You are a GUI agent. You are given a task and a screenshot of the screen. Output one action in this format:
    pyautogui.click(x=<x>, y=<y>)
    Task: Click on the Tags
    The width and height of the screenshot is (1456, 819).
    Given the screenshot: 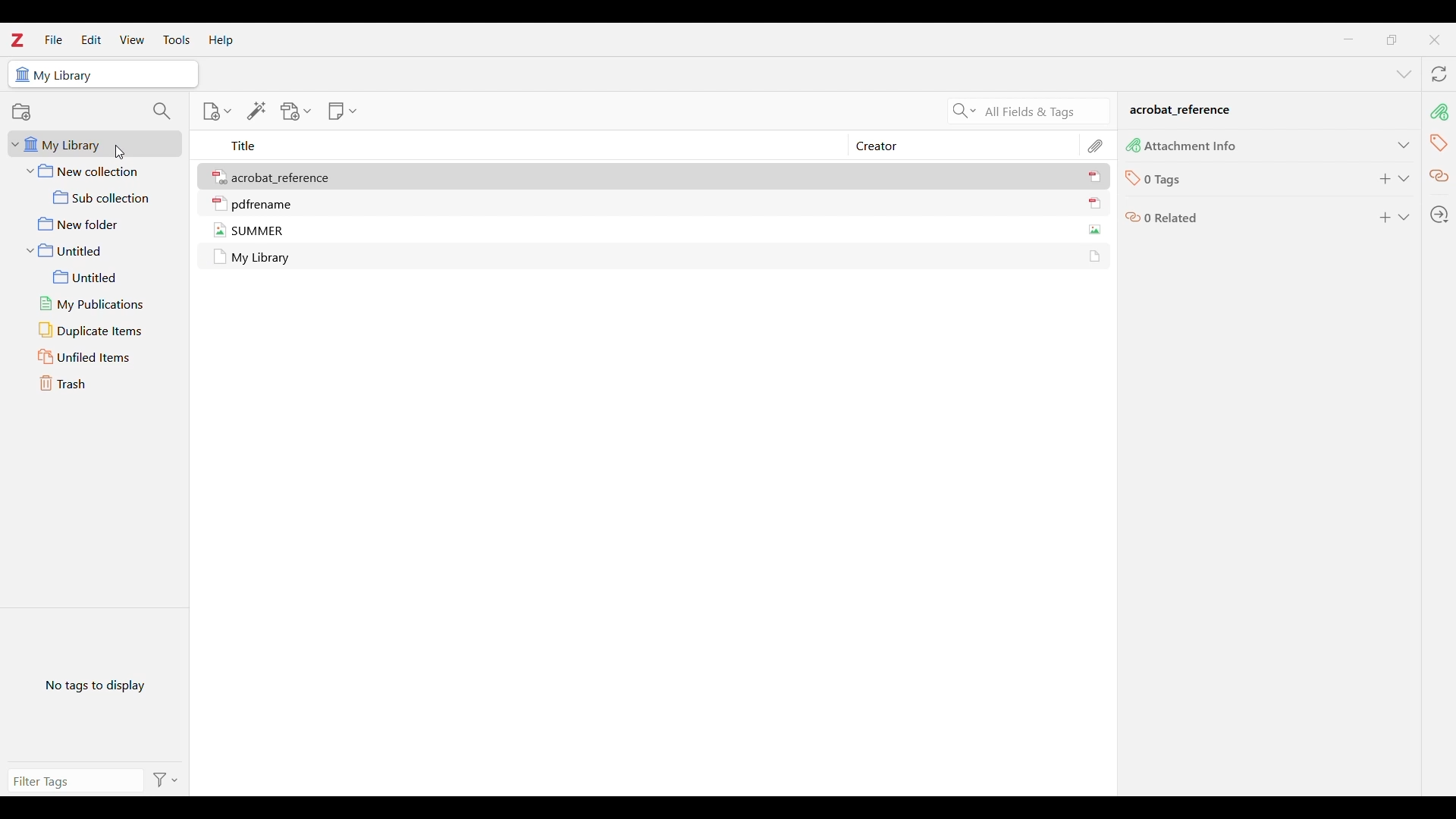 What is the action you would take?
    pyautogui.click(x=1436, y=143)
    